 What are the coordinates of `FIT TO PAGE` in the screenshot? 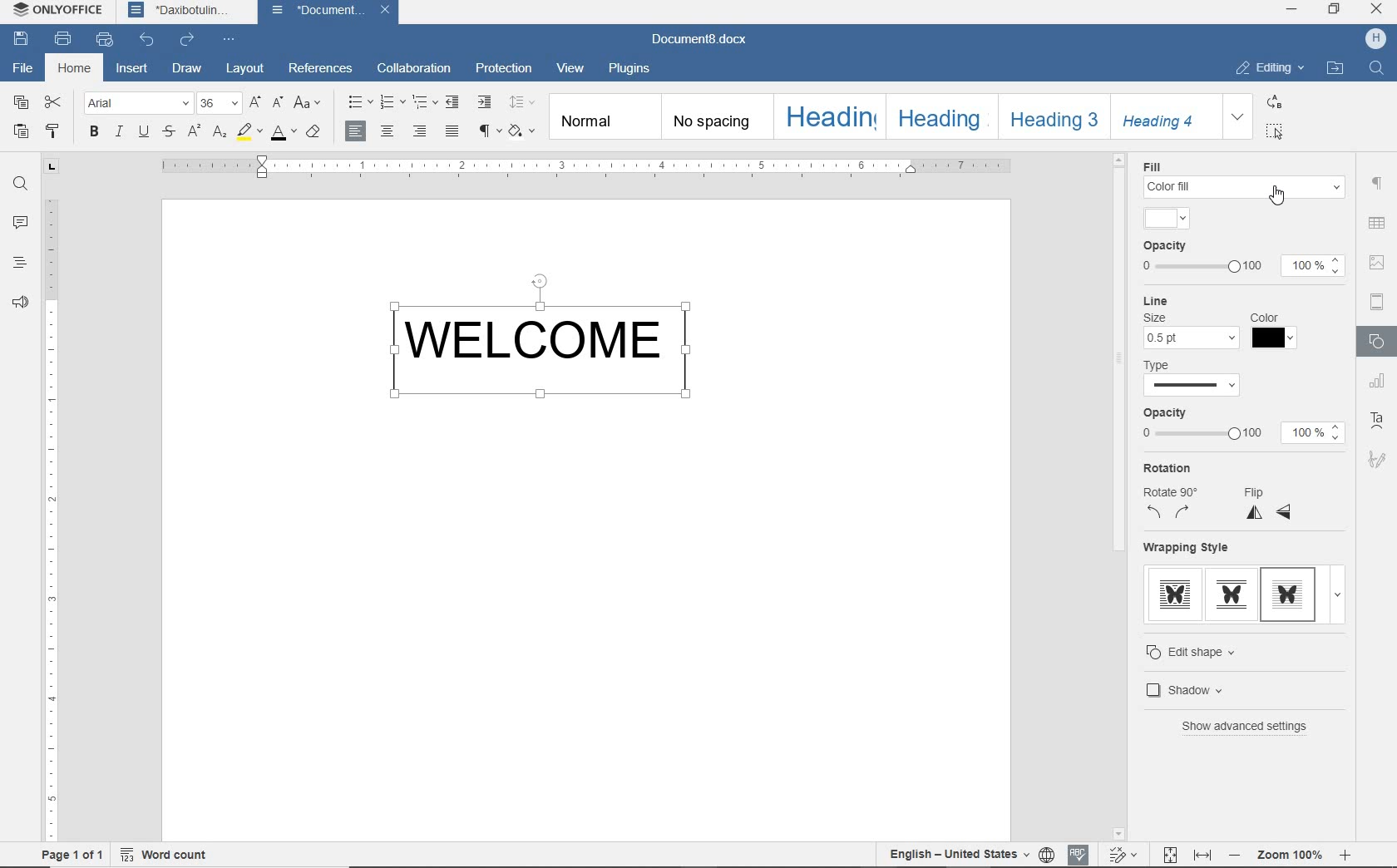 It's located at (1170, 856).